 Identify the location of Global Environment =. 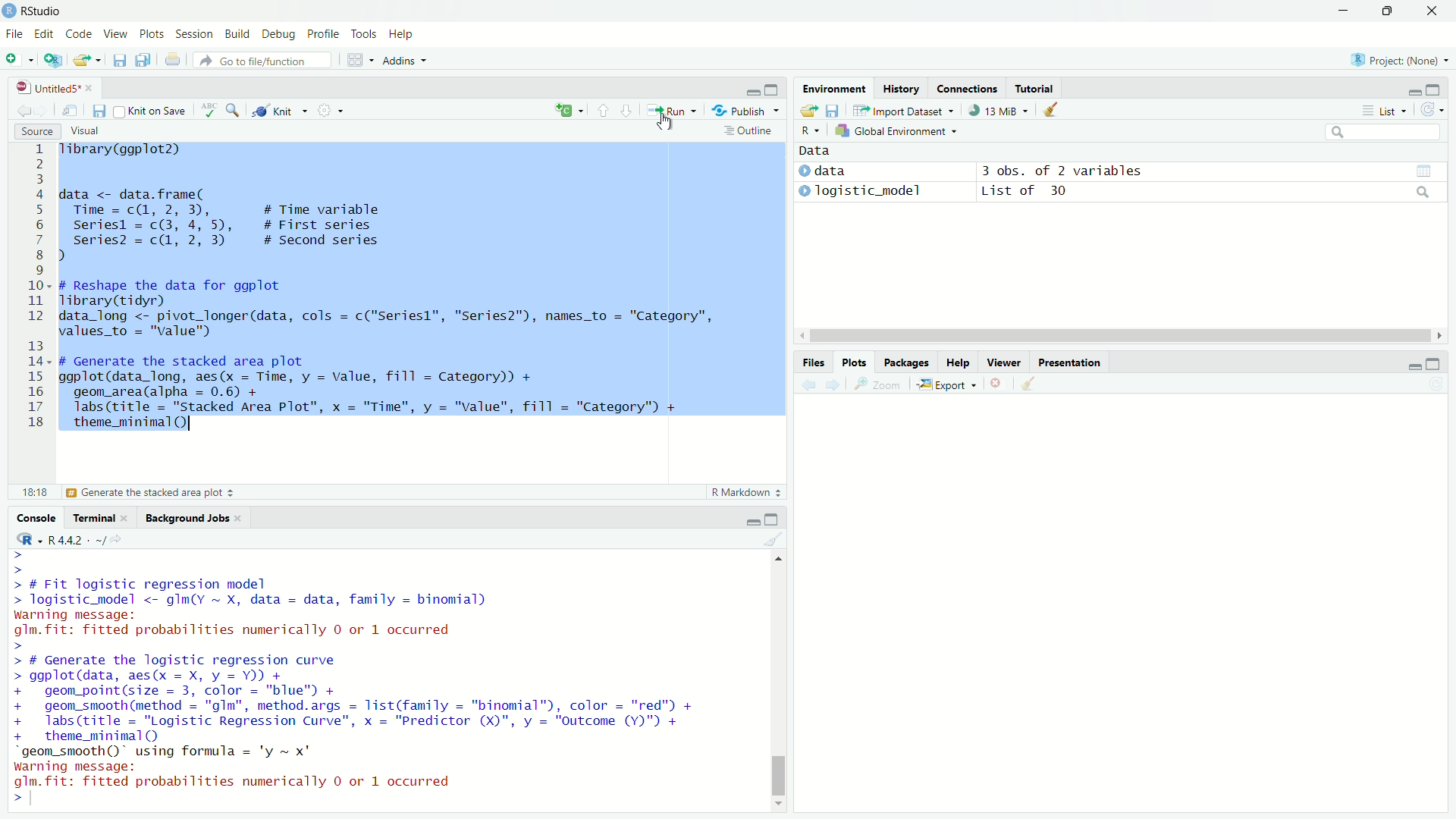
(892, 131).